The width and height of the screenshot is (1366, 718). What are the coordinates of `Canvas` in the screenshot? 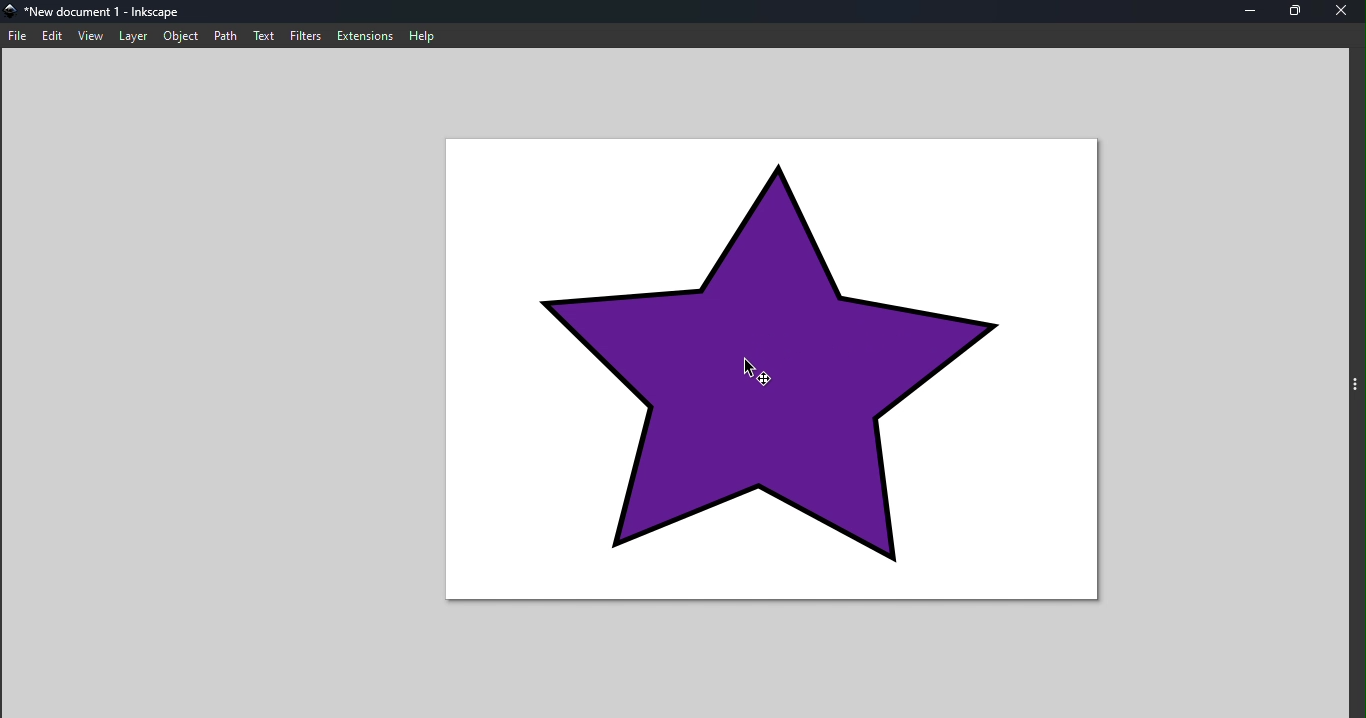 It's located at (773, 375).